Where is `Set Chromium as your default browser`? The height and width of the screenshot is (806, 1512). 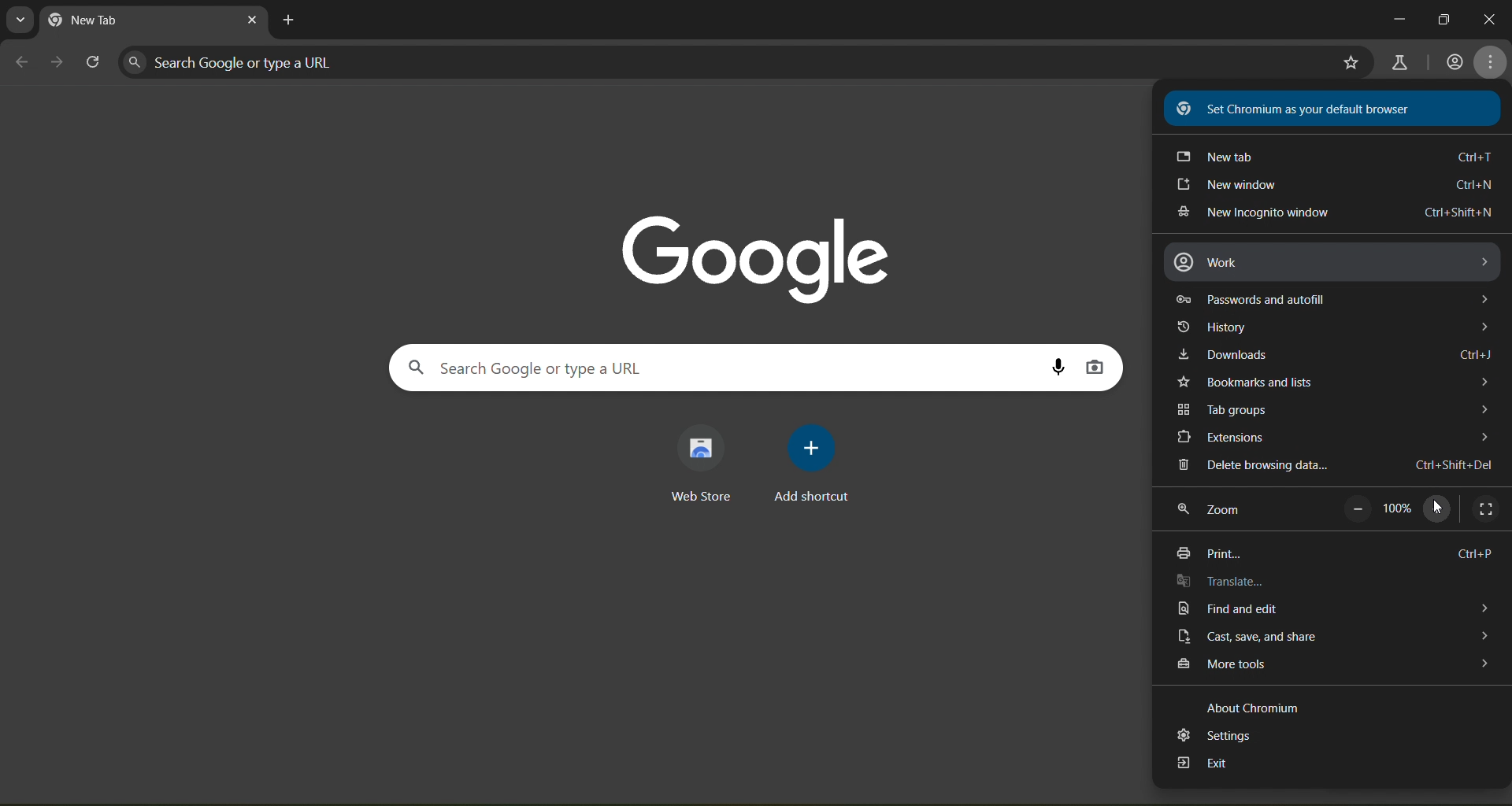 Set Chromium as your default browser is located at coordinates (1334, 106).